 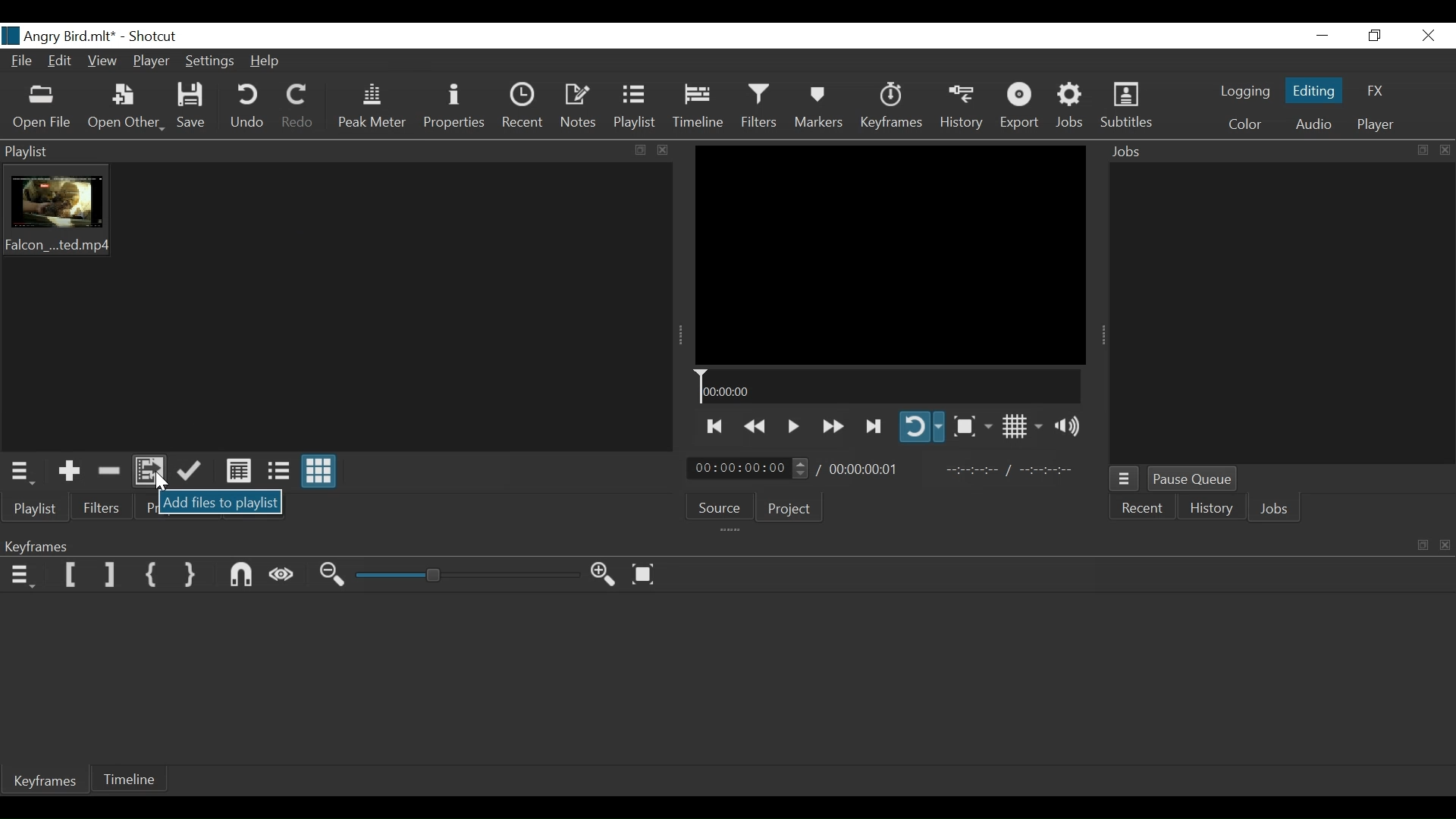 What do you see at coordinates (70, 573) in the screenshot?
I see `Set Filter Keyframe ` at bounding box center [70, 573].